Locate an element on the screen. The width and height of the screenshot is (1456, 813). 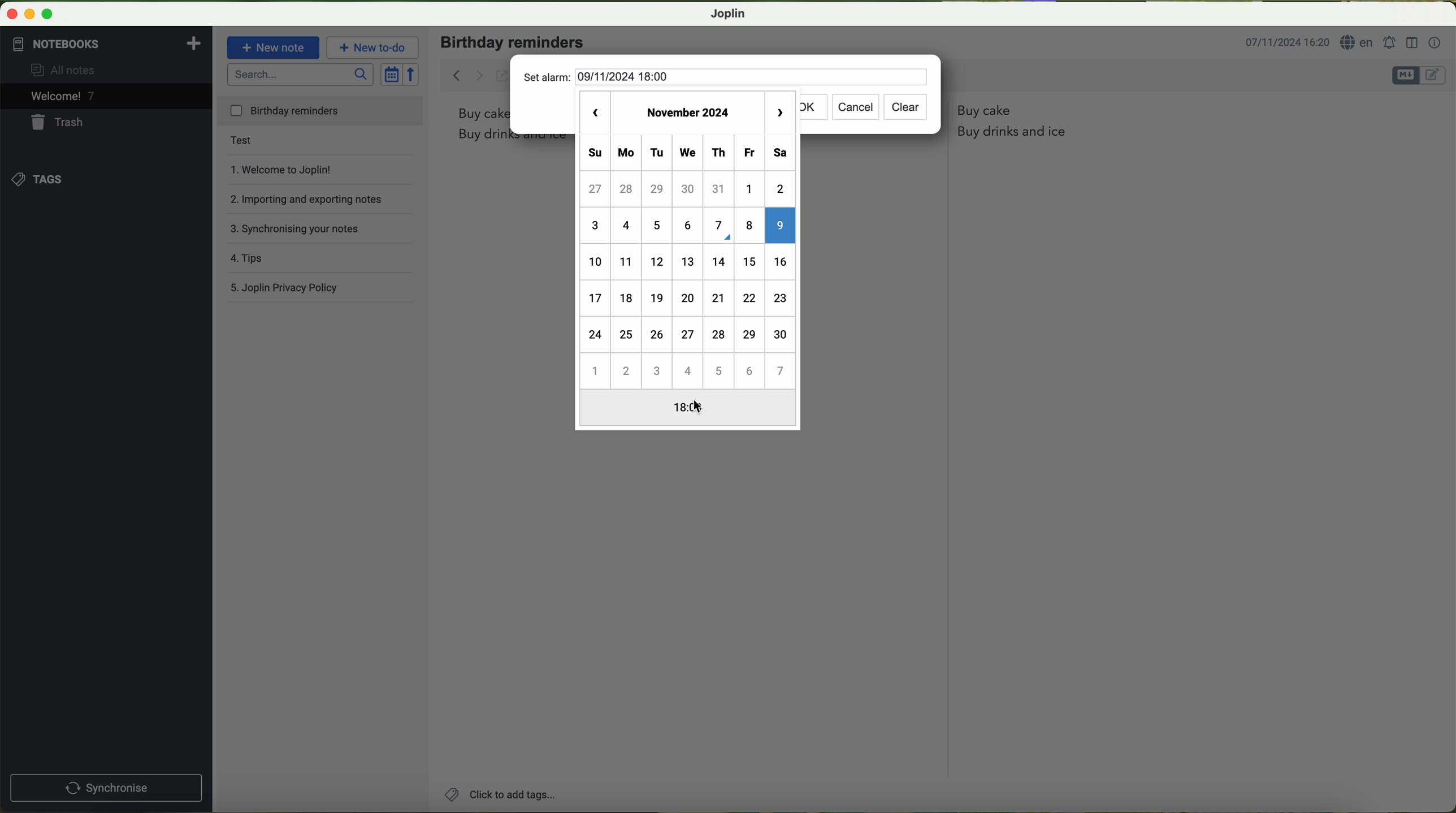
toggle editor layout is located at coordinates (1409, 41).